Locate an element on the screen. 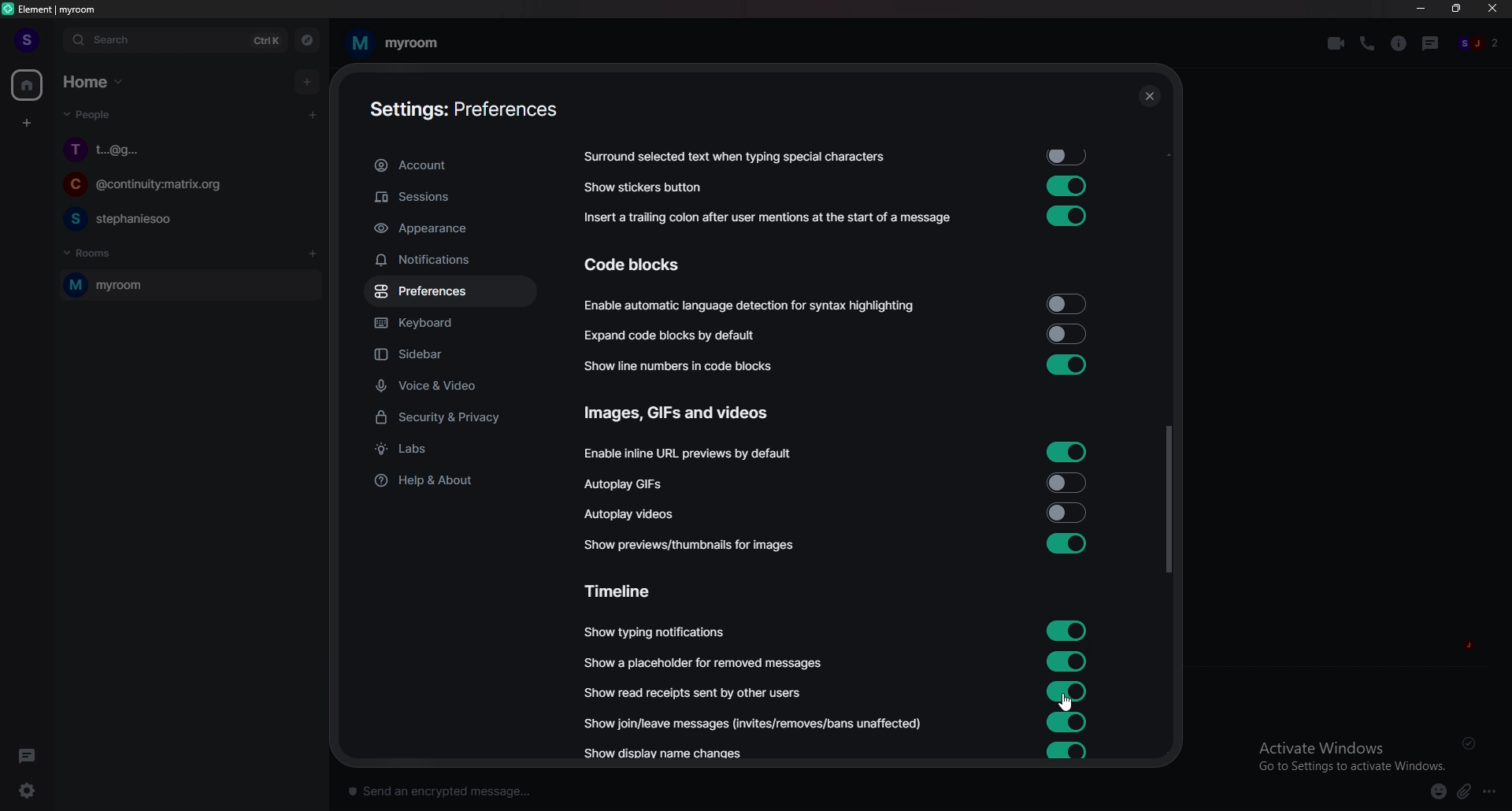  more options is located at coordinates (1494, 792).